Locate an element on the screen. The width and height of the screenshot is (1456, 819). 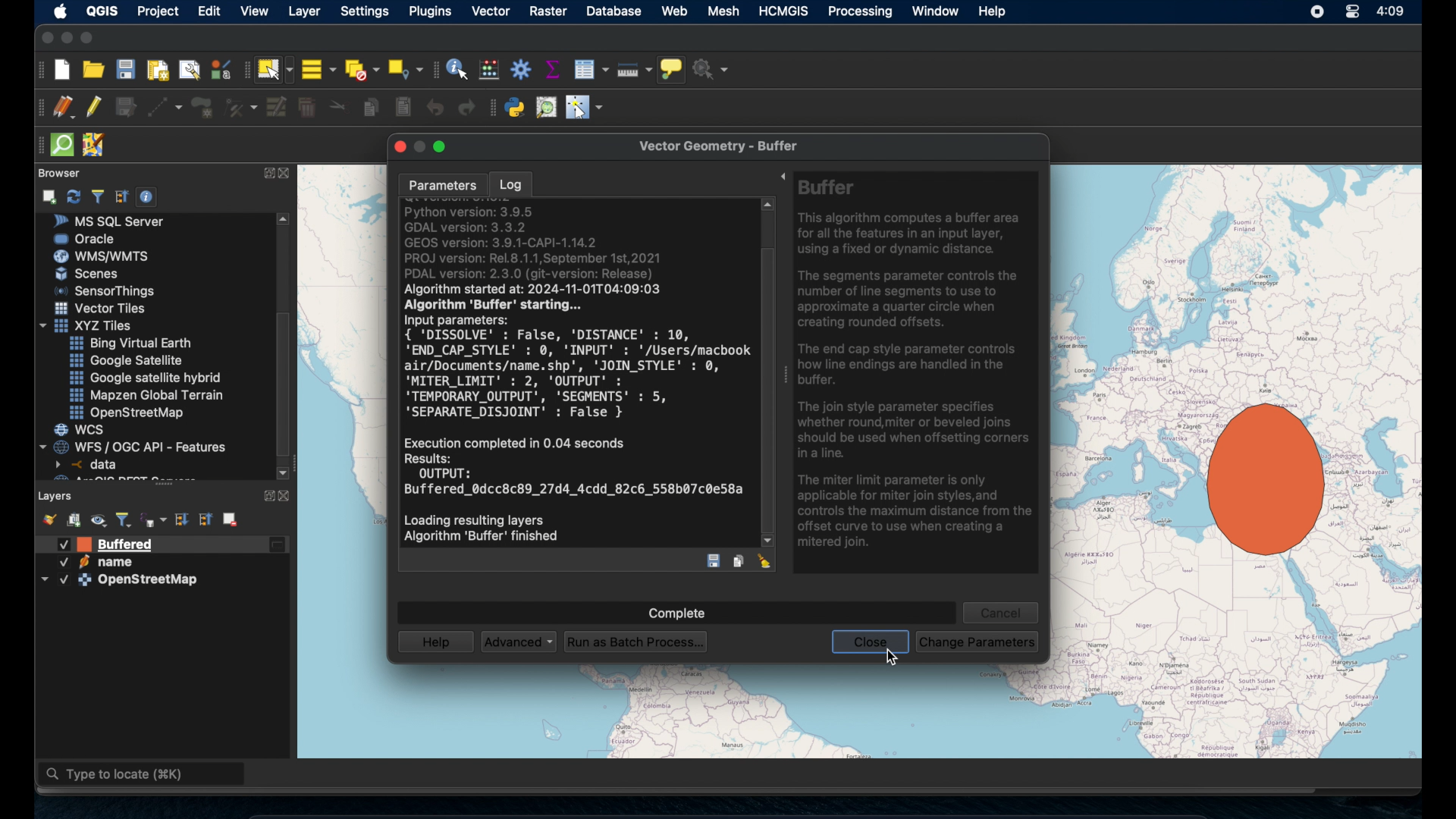
wcs is located at coordinates (81, 430).